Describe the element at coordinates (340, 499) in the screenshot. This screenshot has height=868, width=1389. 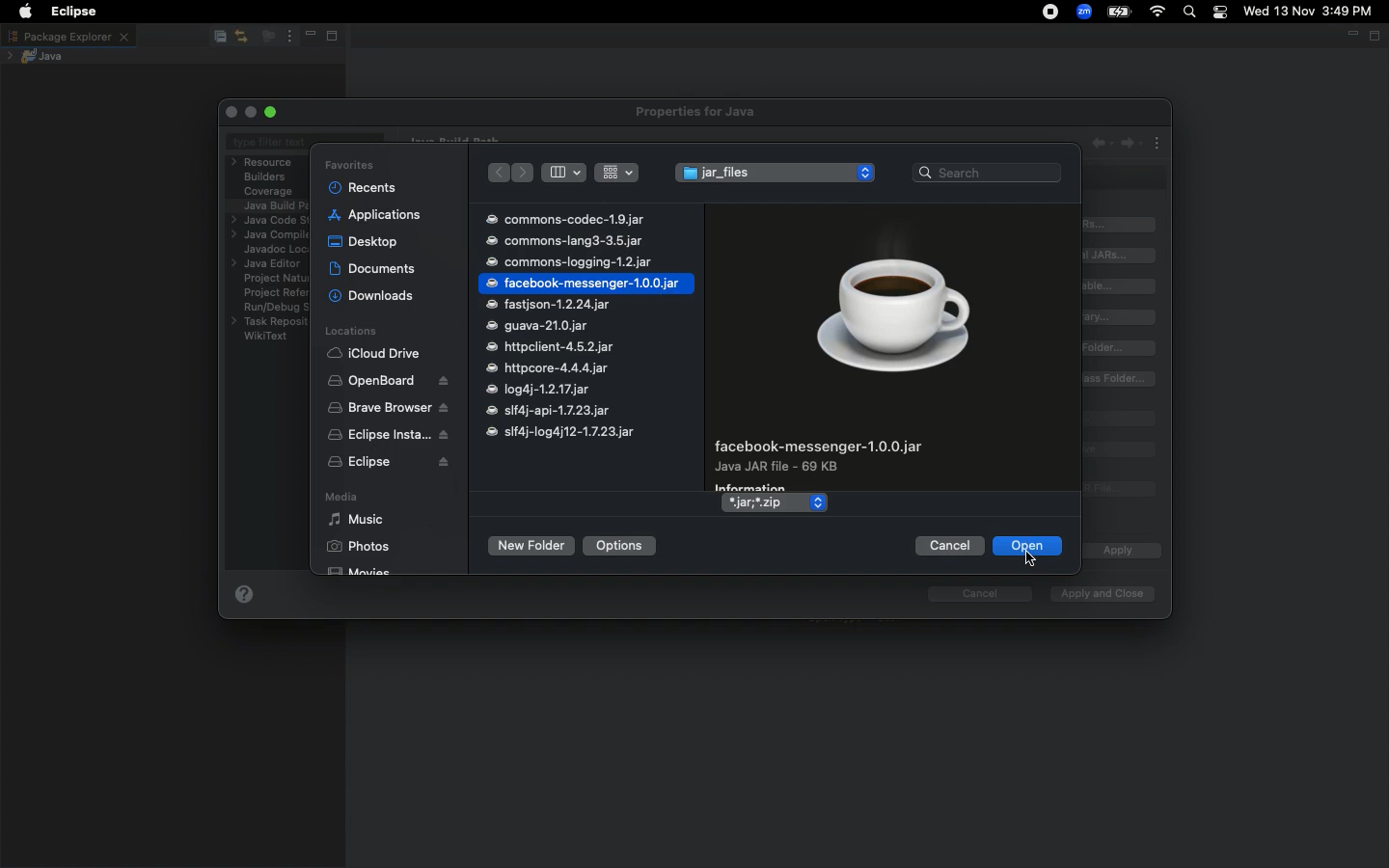
I see `Media` at that location.